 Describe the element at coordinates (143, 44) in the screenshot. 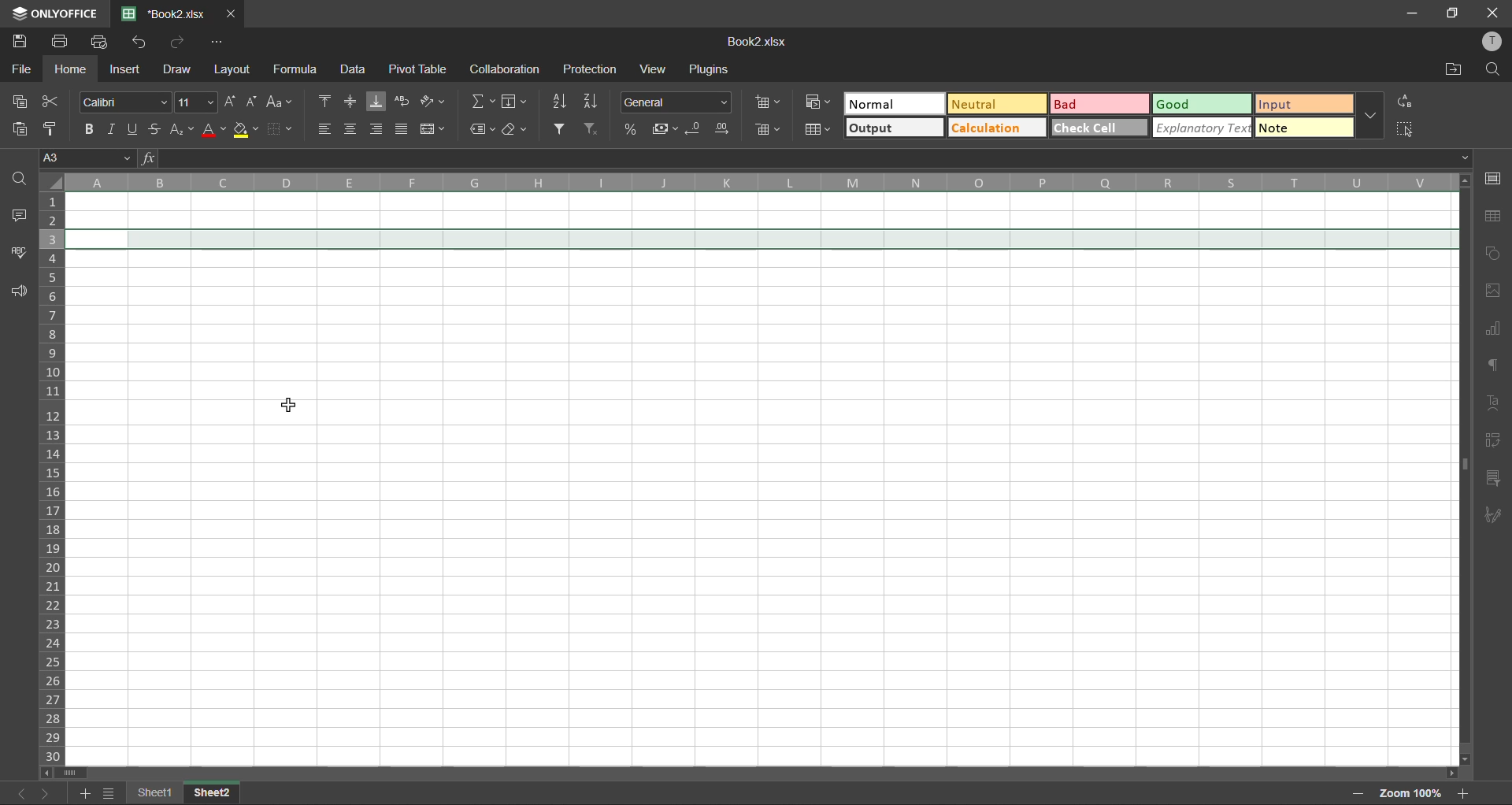

I see `undo` at that location.